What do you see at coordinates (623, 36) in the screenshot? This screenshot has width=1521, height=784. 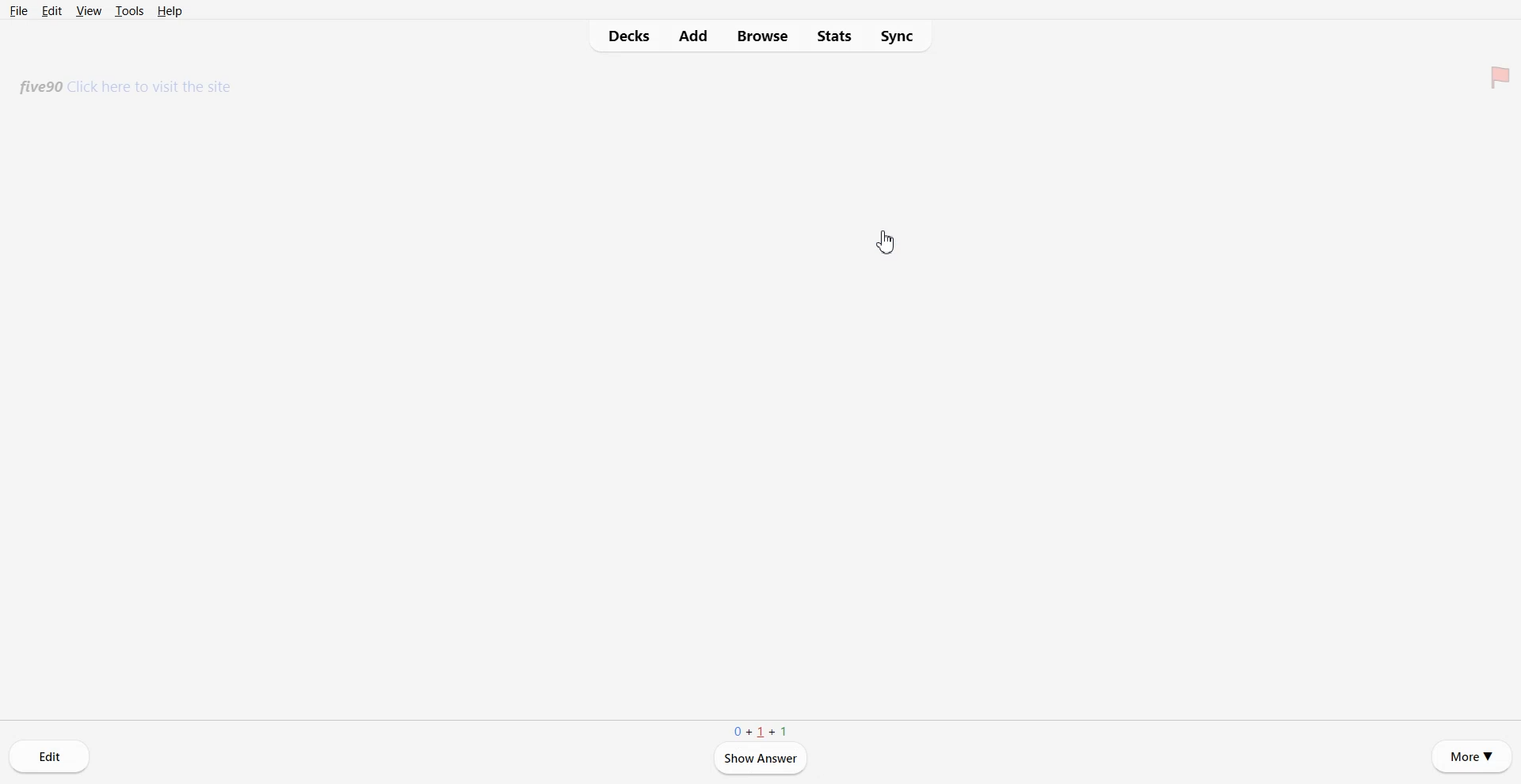 I see `Decks` at bounding box center [623, 36].